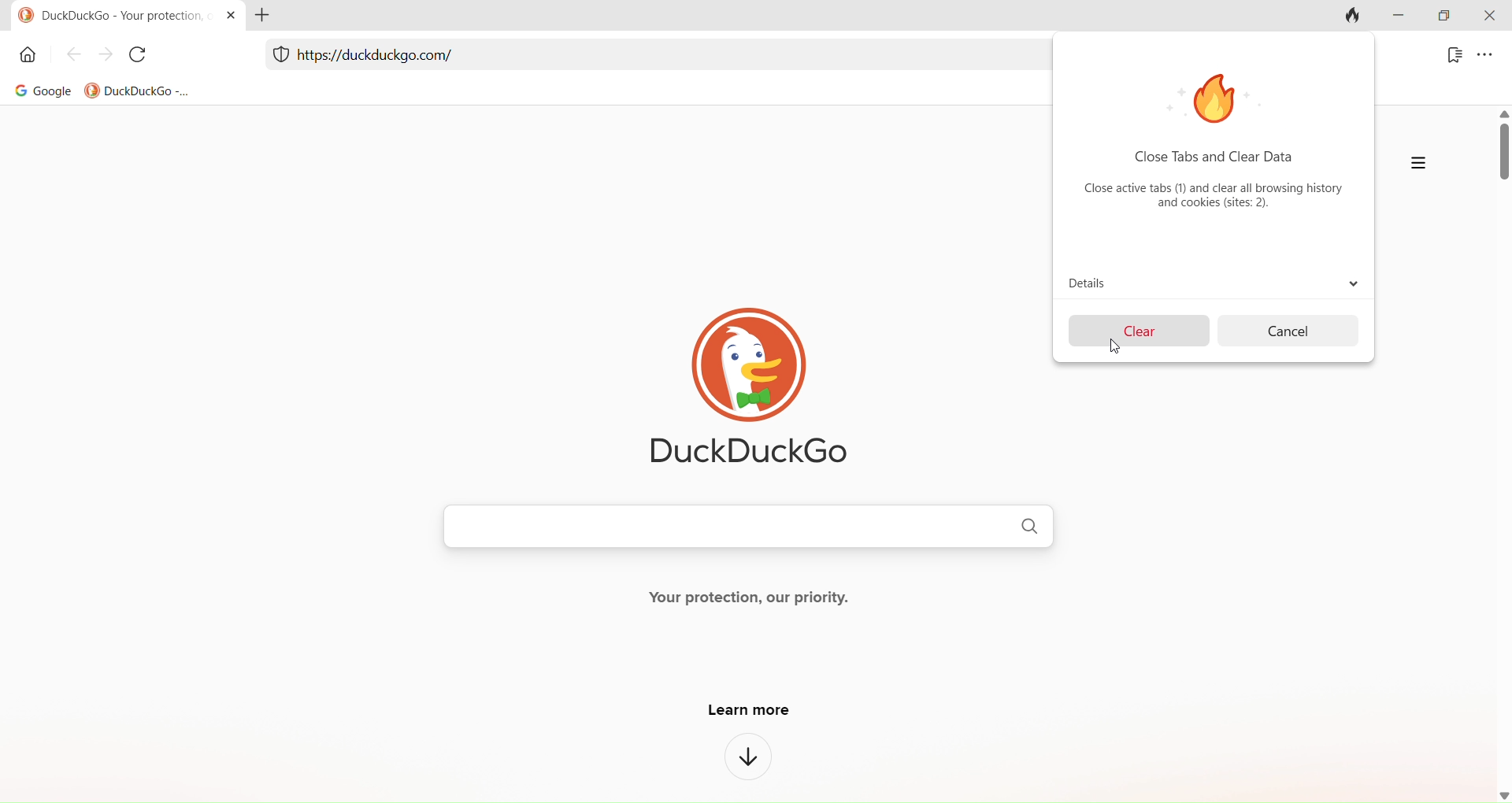 The height and width of the screenshot is (803, 1512). I want to click on scroll bar, so click(1497, 444).